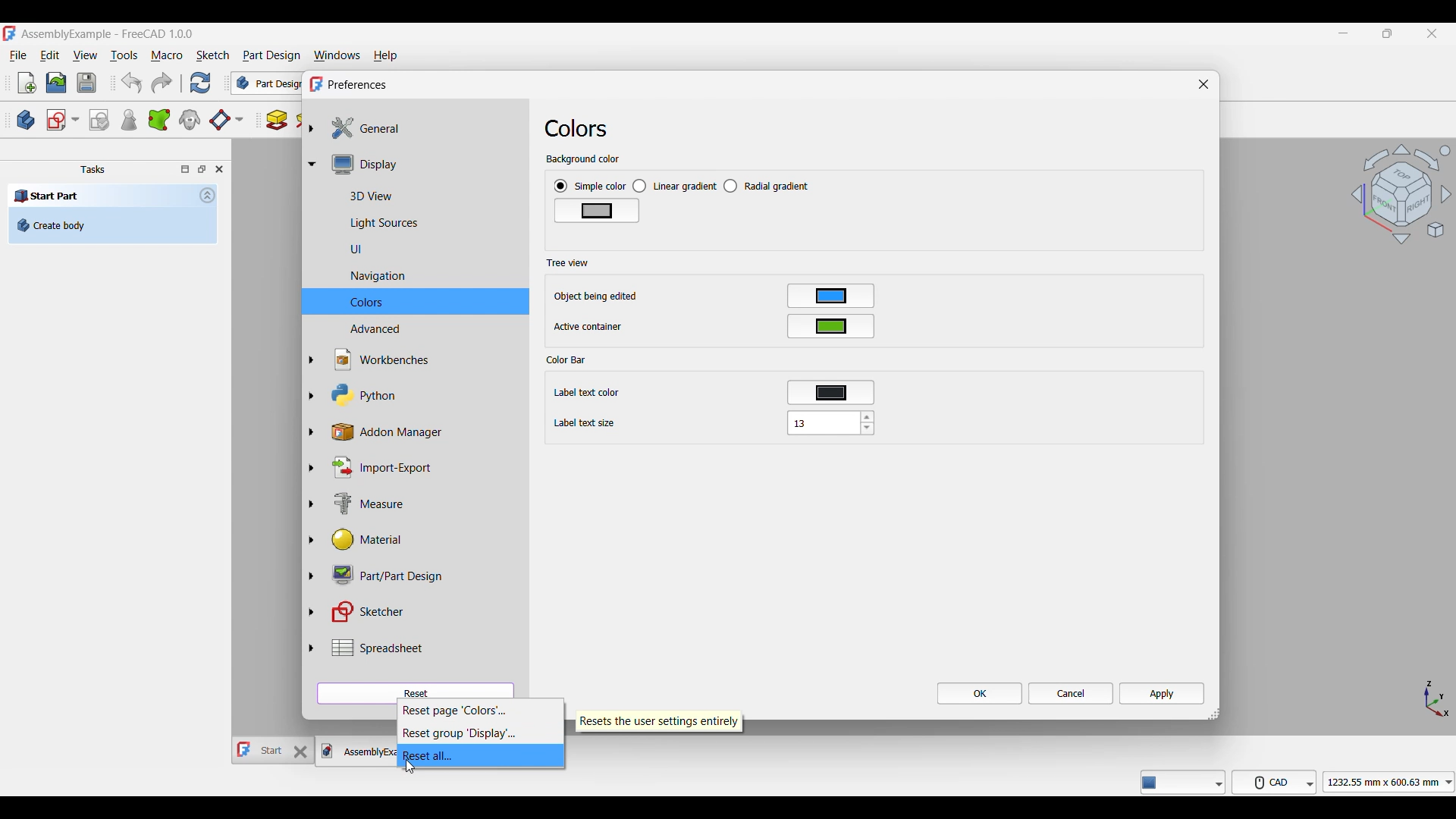 The image size is (1456, 819). I want to click on Display settings, so click(359, 165).